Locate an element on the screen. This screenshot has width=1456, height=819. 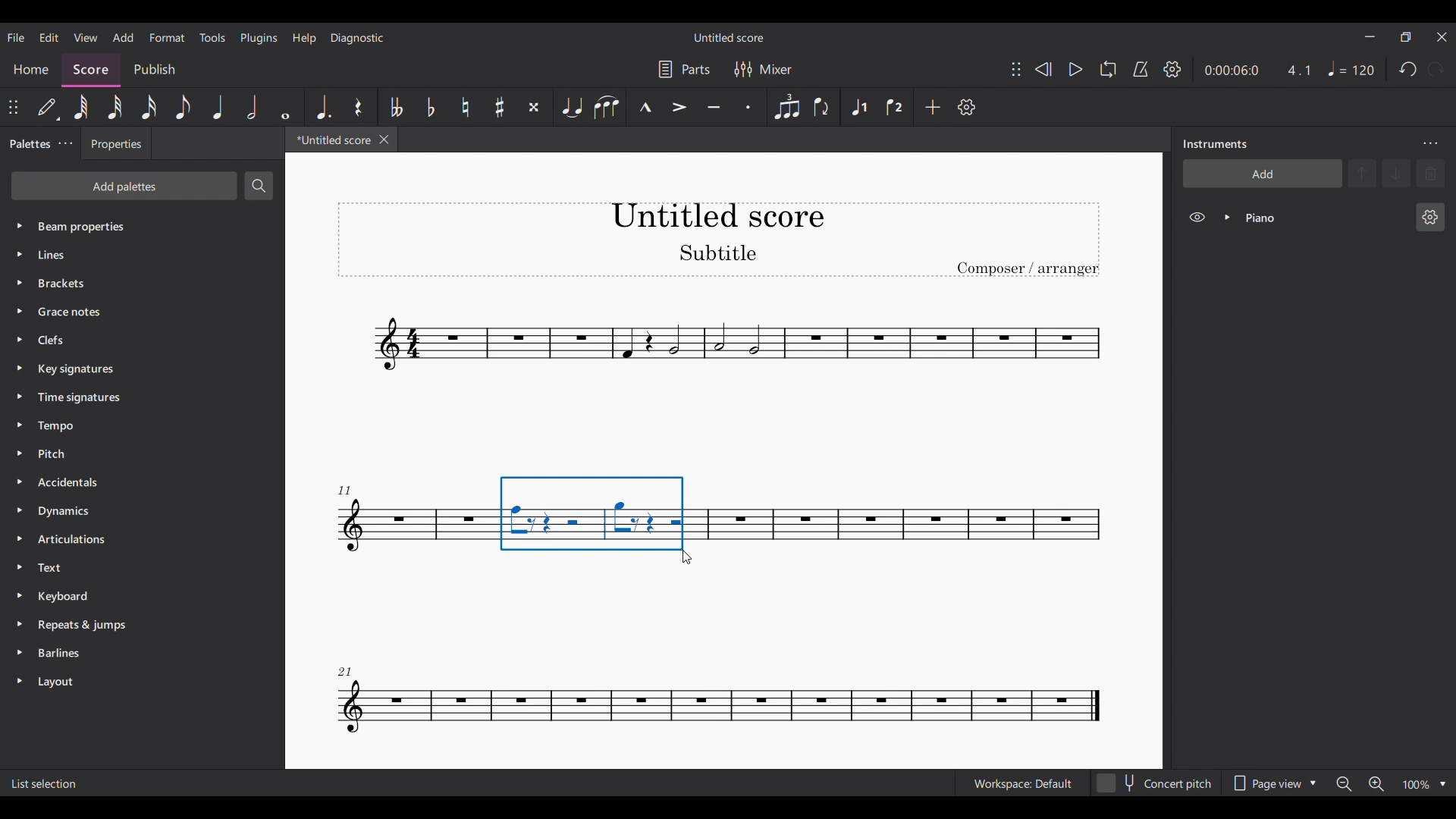
Key signatures is located at coordinates (140, 370).